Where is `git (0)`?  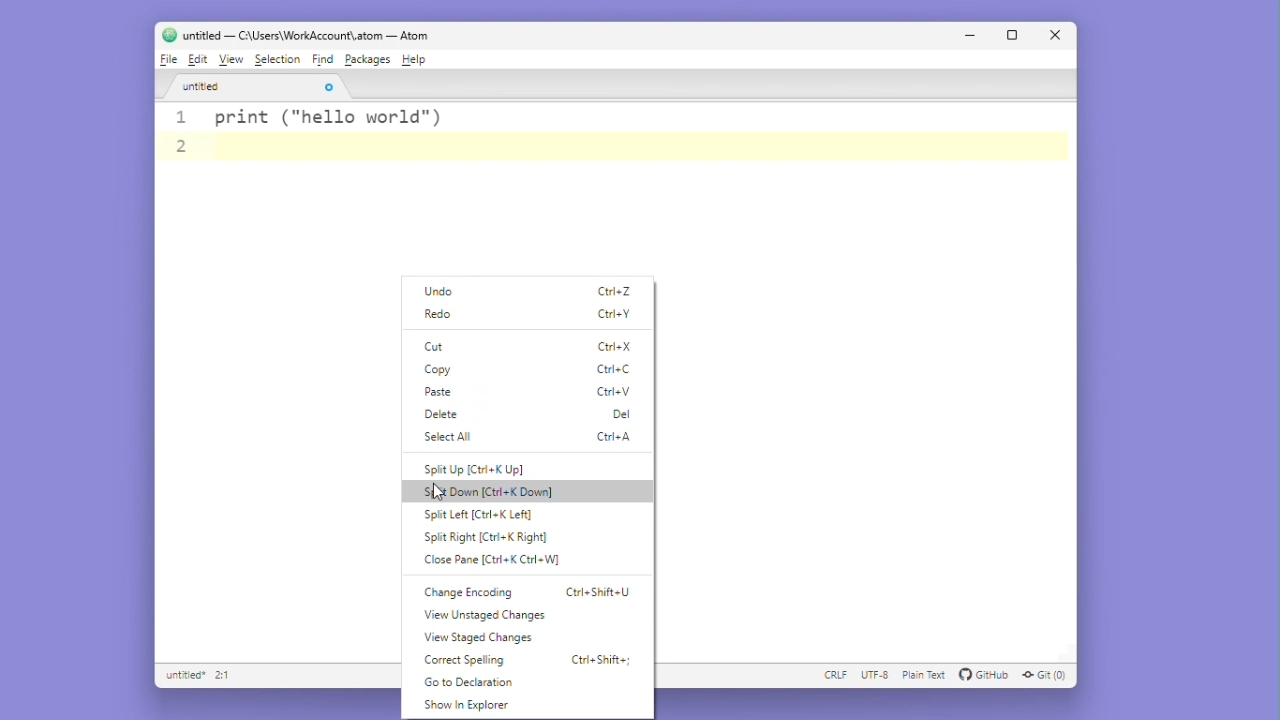
git (0) is located at coordinates (1050, 675).